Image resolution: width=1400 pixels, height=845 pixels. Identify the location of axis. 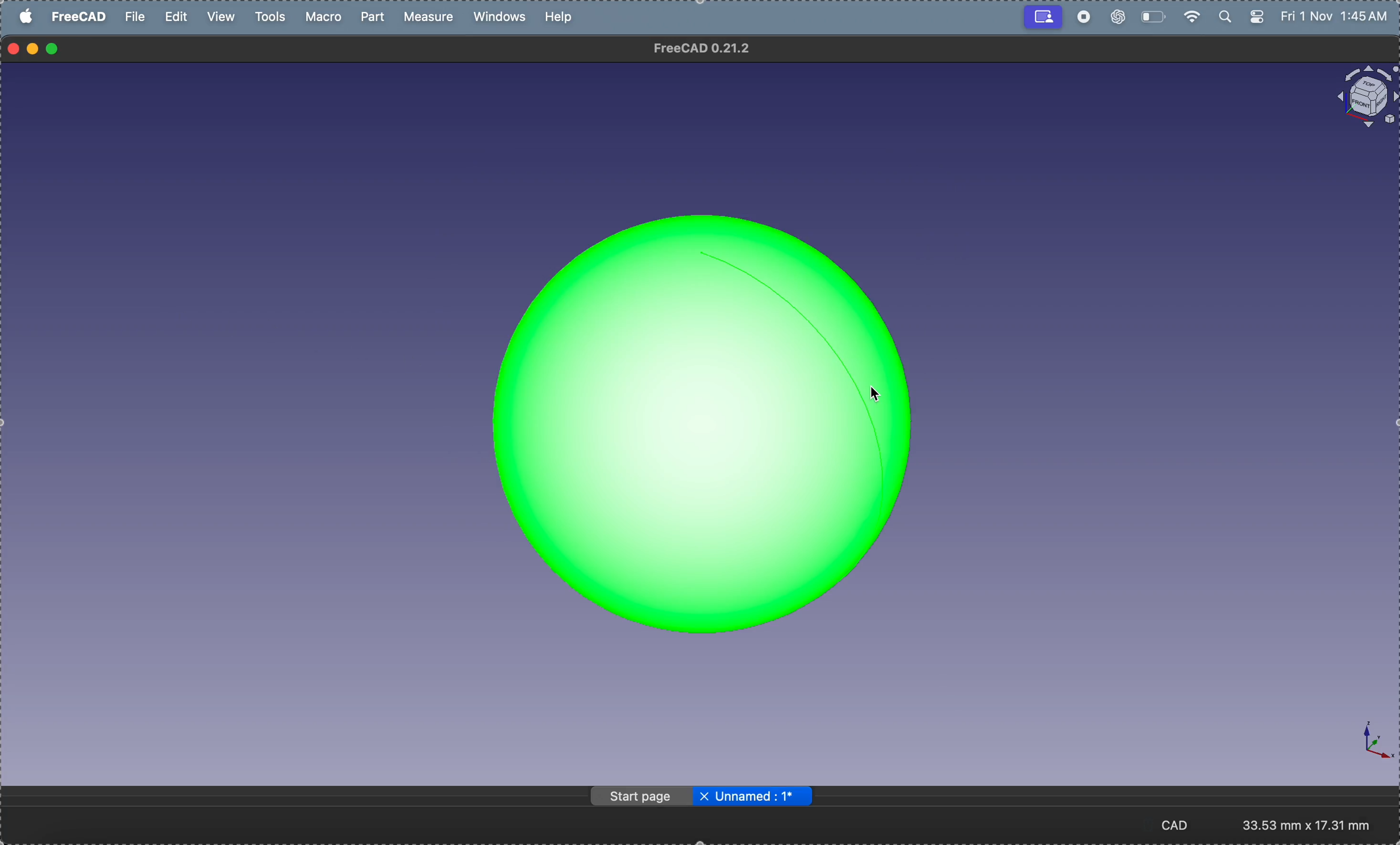
(1367, 743).